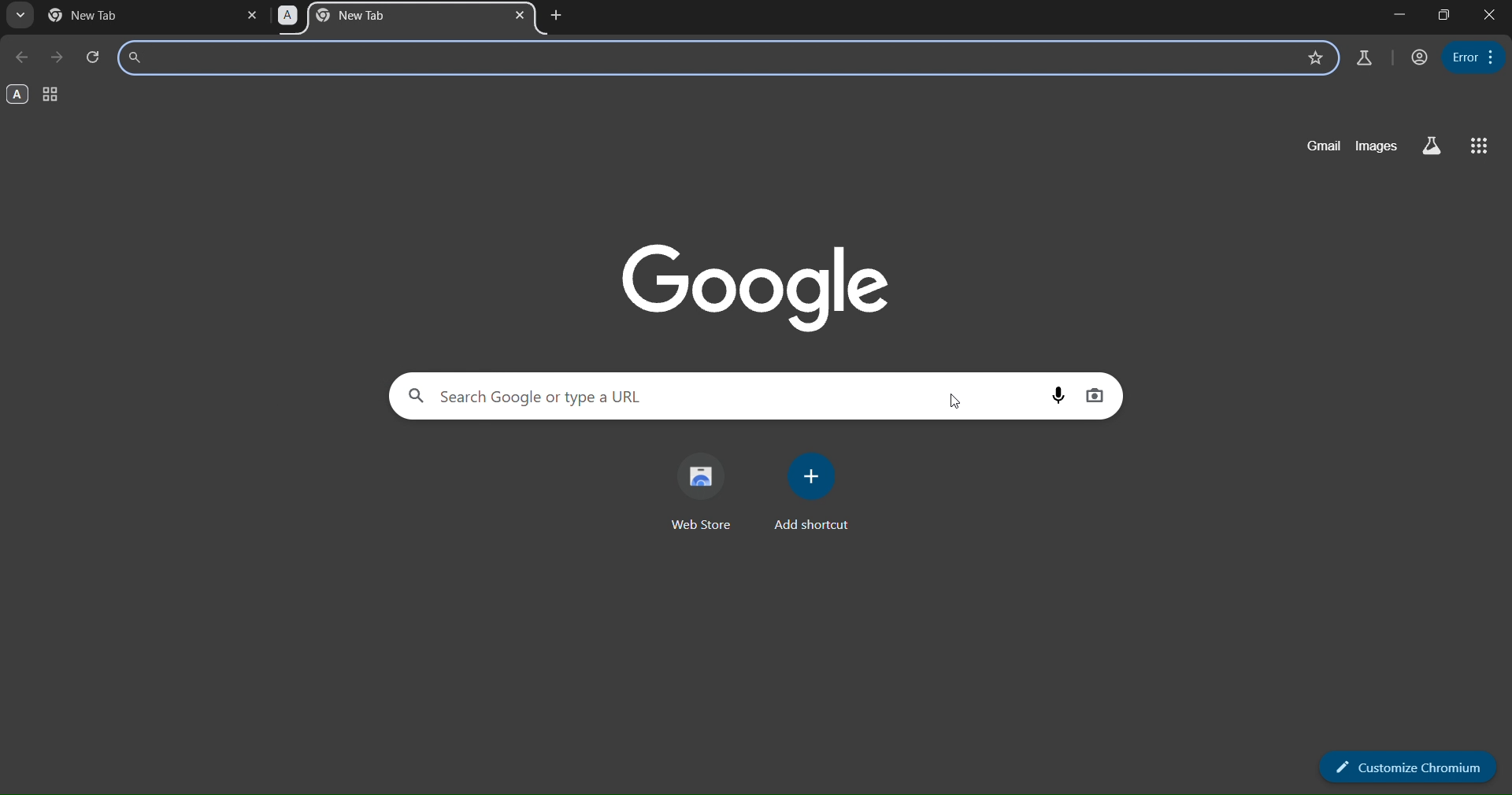  What do you see at coordinates (703, 494) in the screenshot?
I see `web store` at bounding box center [703, 494].